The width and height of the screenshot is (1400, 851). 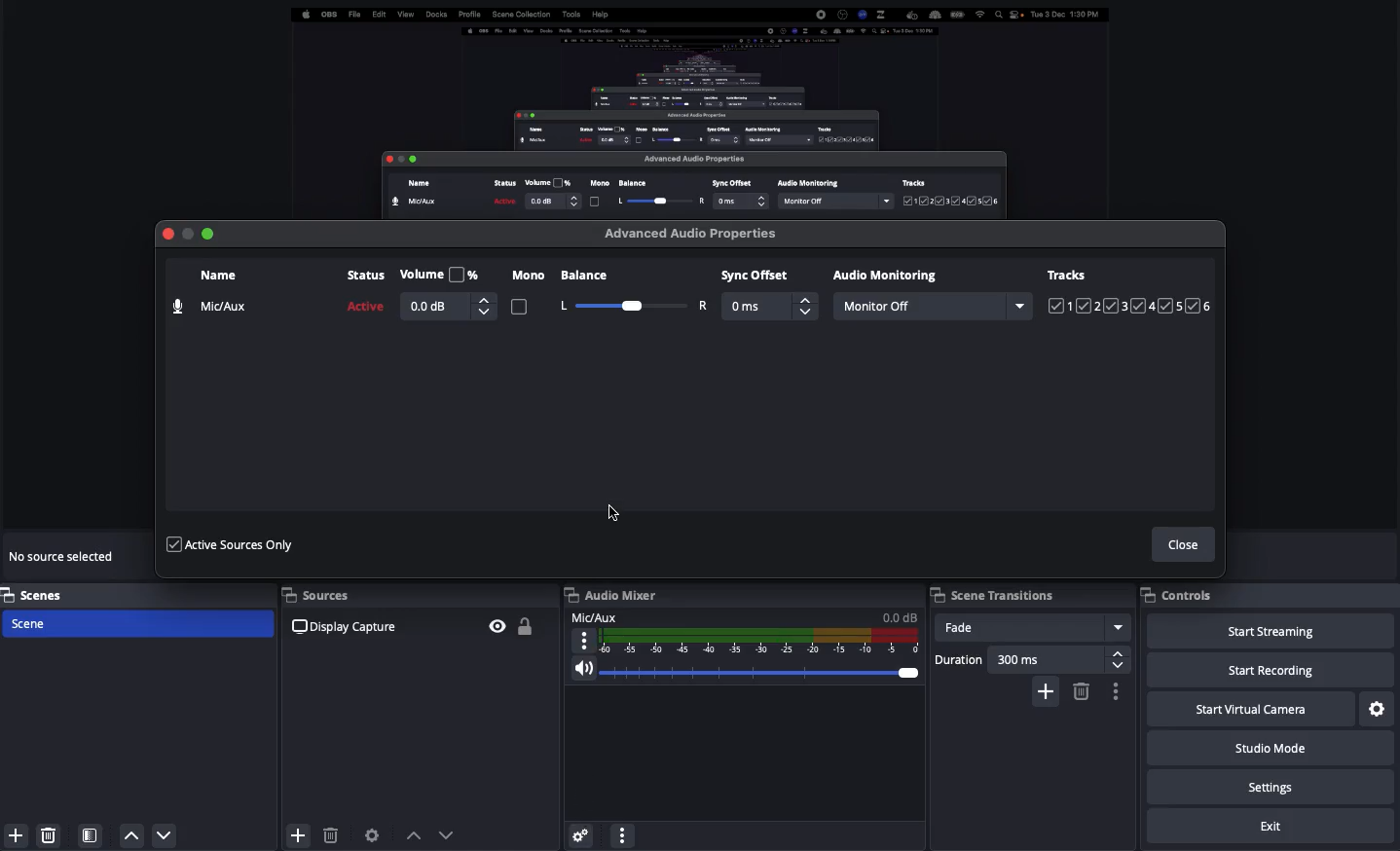 What do you see at coordinates (55, 834) in the screenshot?
I see `delete` at bounding box center [55, 834].